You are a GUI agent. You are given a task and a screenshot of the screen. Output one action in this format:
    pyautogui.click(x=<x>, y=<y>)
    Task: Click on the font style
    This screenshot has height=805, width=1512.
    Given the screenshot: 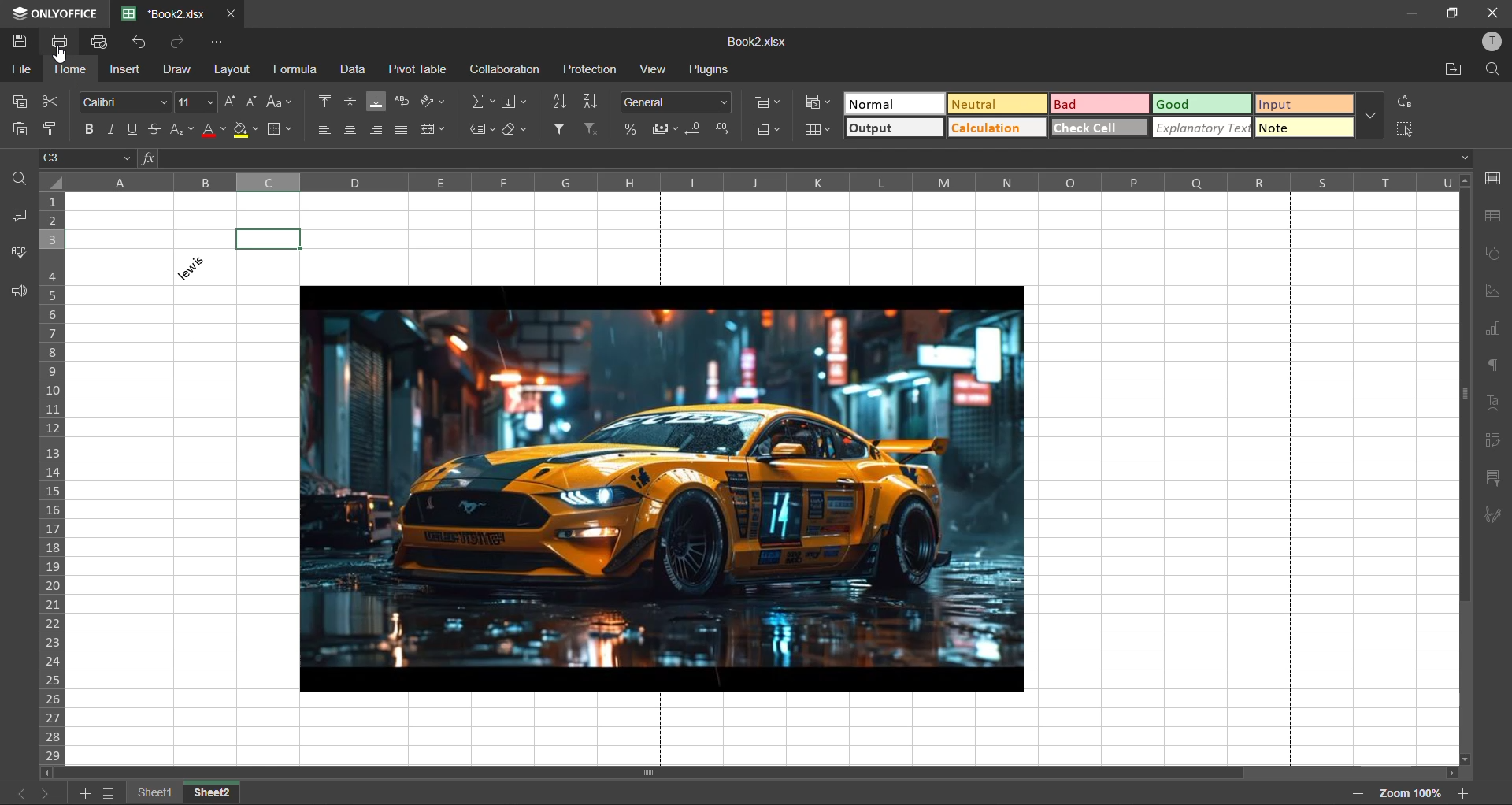 What is the action you would take?
    pyautogui.click(x=121, y=100)
    